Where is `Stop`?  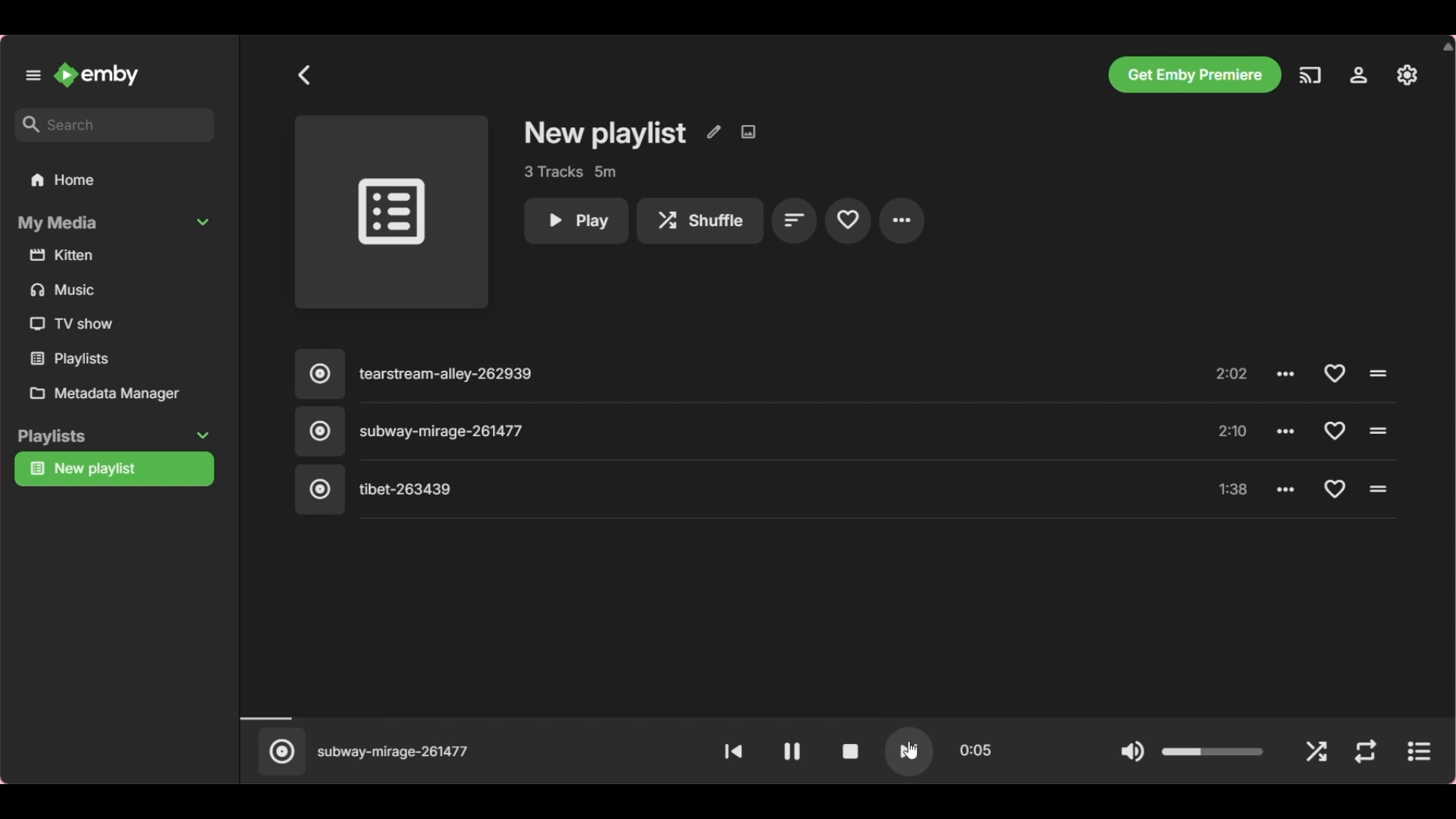 Stop is located at coordinates (853, 751).